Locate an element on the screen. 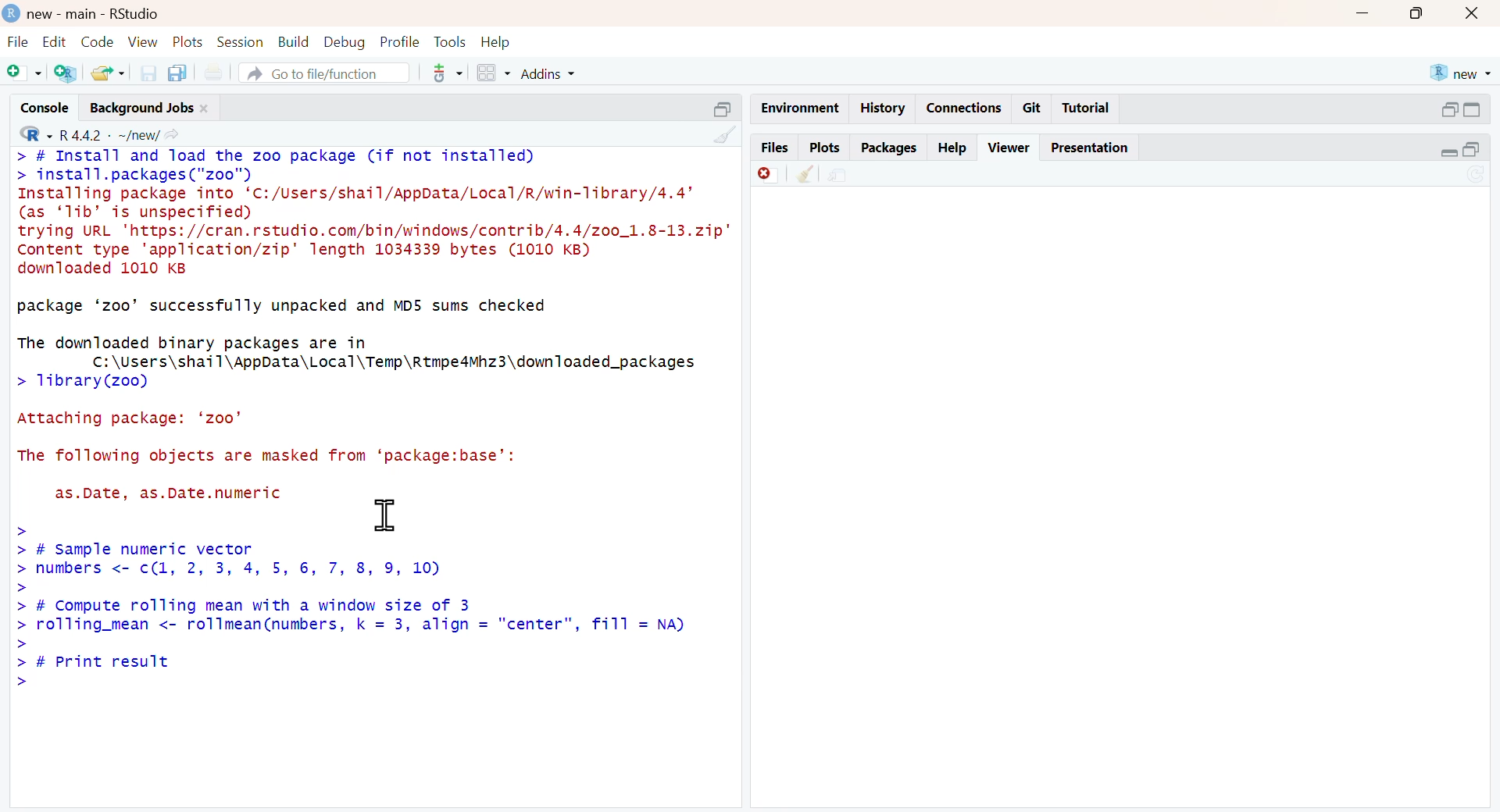 The width and height of the screenshot is (1500, 812). open in separate window is located at coordinates (1471, 149).